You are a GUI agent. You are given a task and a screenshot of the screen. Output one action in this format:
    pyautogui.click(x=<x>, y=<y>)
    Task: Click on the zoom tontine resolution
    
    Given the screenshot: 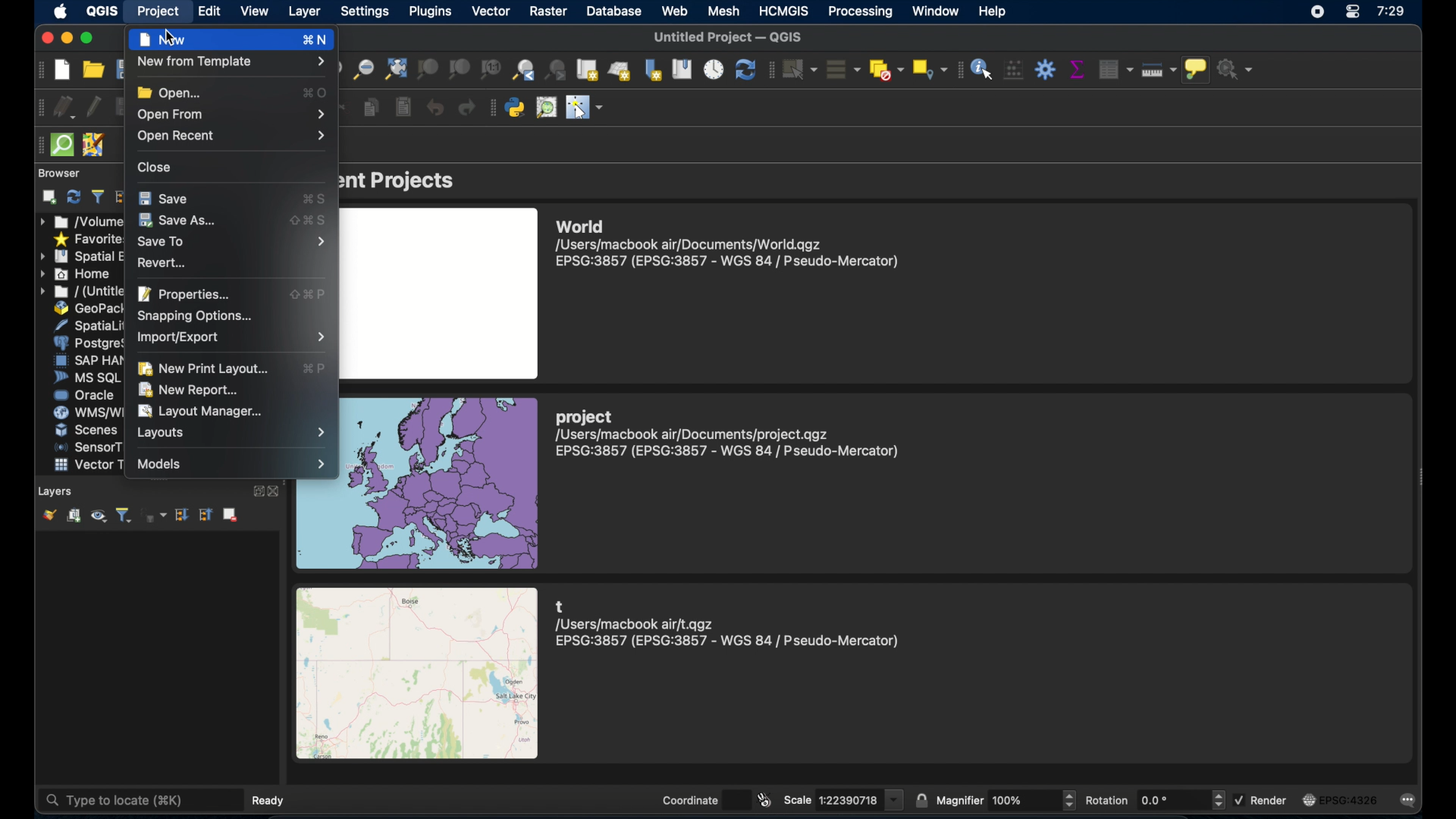 What is the action you would take?
    pyautogui.click(x=490, y=70)
    